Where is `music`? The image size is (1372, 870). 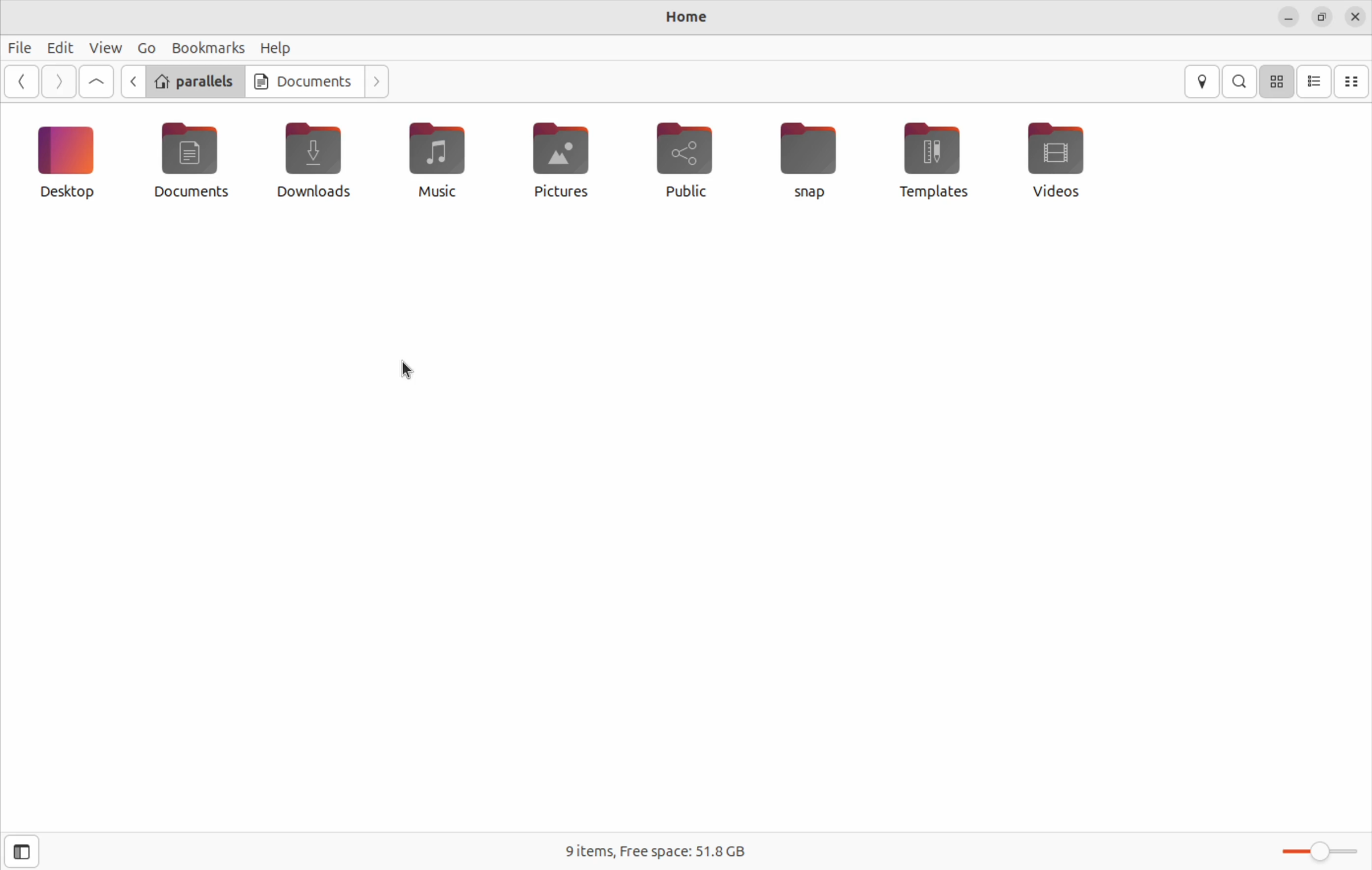 music is located at coordinates (191, 161).